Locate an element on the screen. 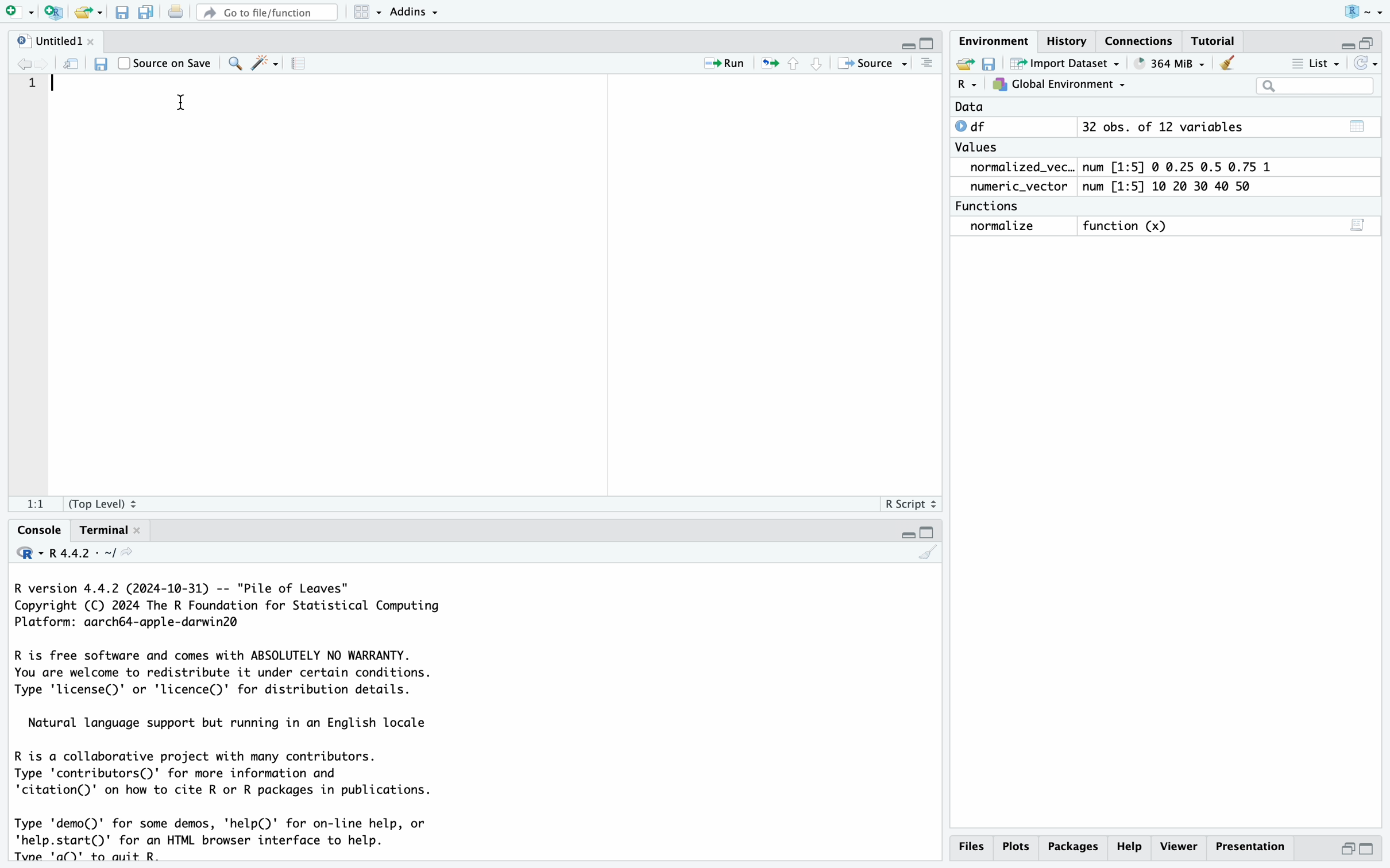 Image resolution: width=1390 pixels, height=868 pixels. 653 MB is located at coordinates (1177, 63).